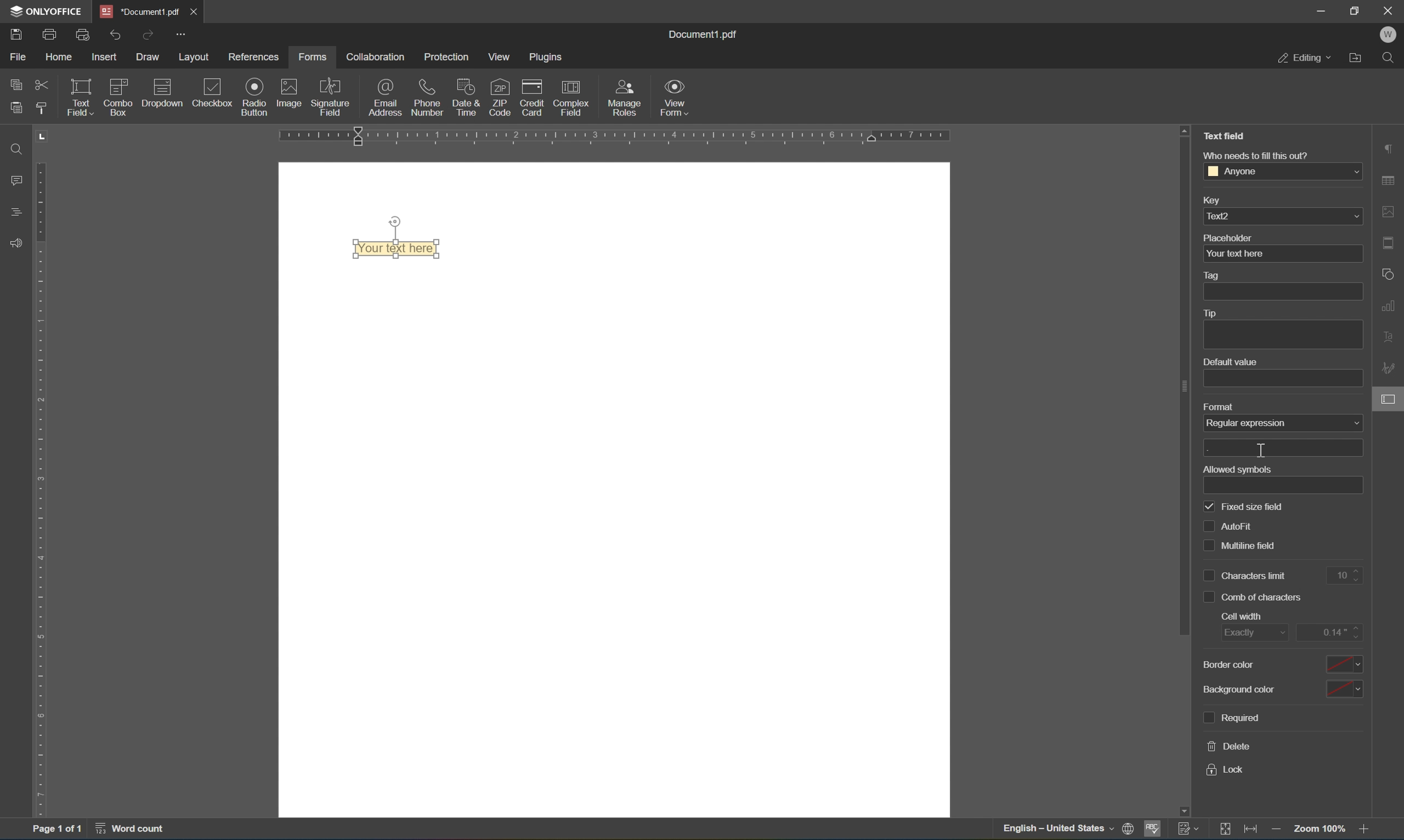 This screenshot has width=1404, height=840. Describe the element at coordinates (1391, 9) in the screenshot. I see `close` at that location.